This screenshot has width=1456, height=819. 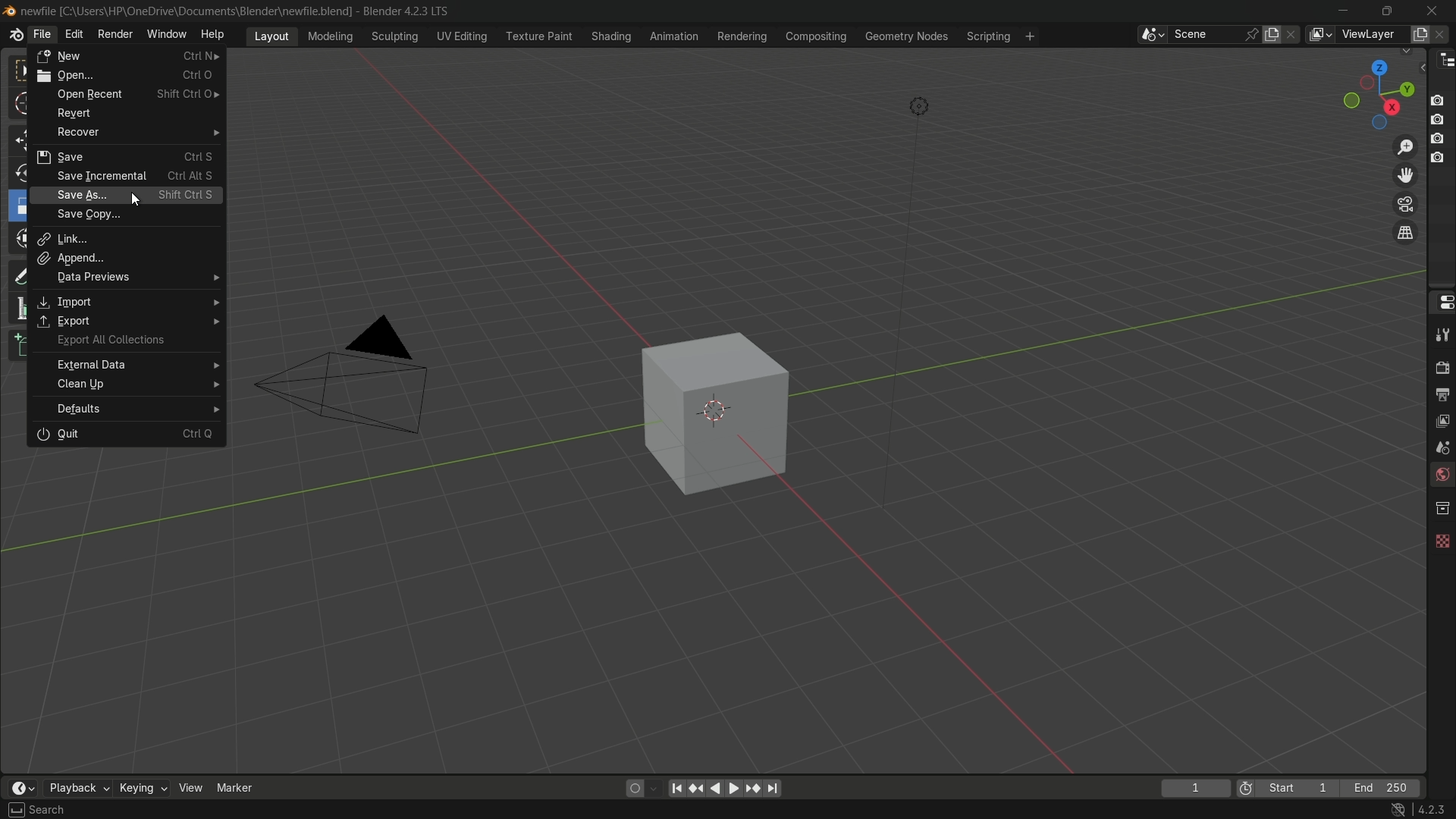 I want to click on link, so click(x=124, y=237).